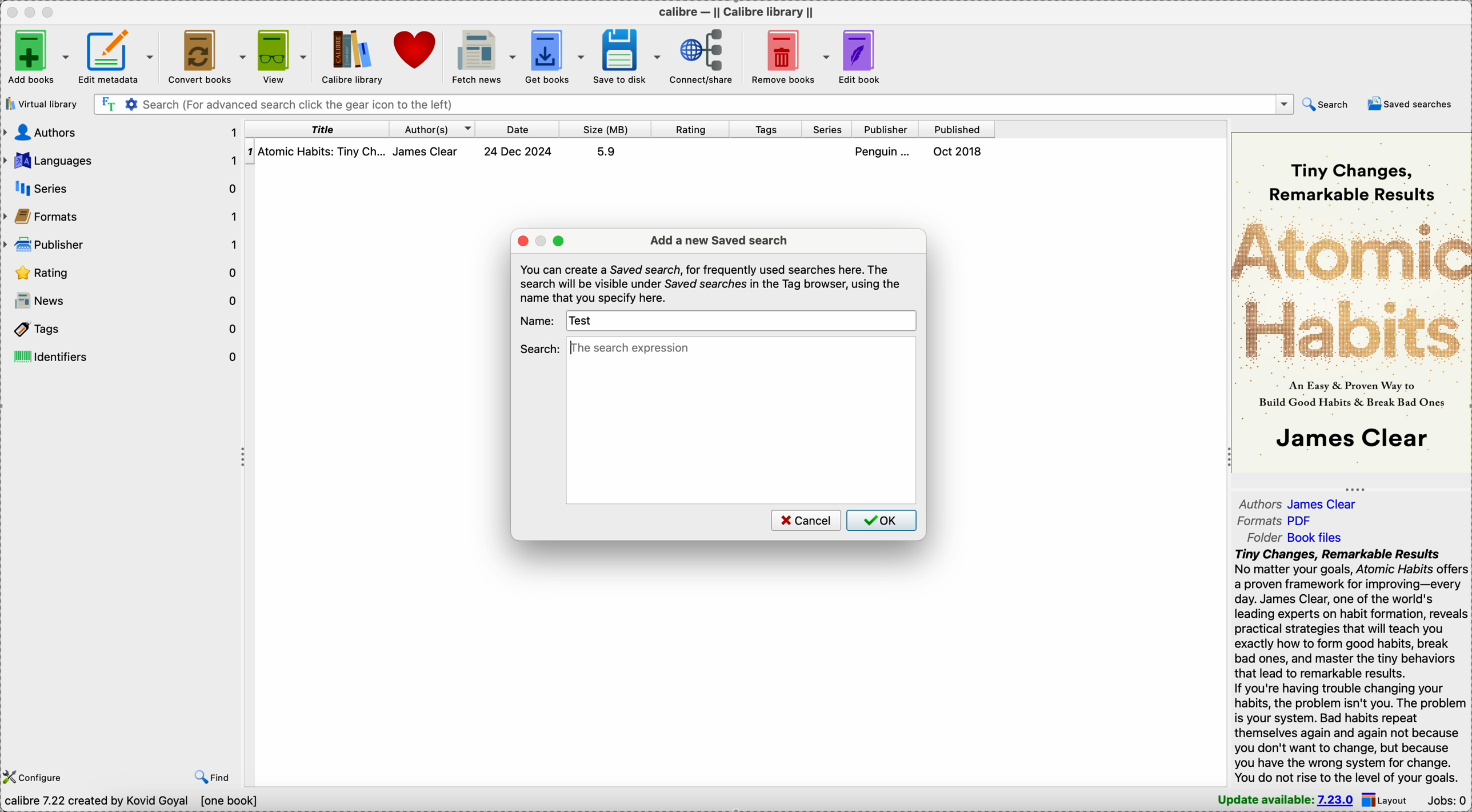 The height and width of the screenshot is (812, 1472). What do you see at coordinates (1413, 104) in the screenshot?
I see `saved searches` at bounding box center [1413, 104].